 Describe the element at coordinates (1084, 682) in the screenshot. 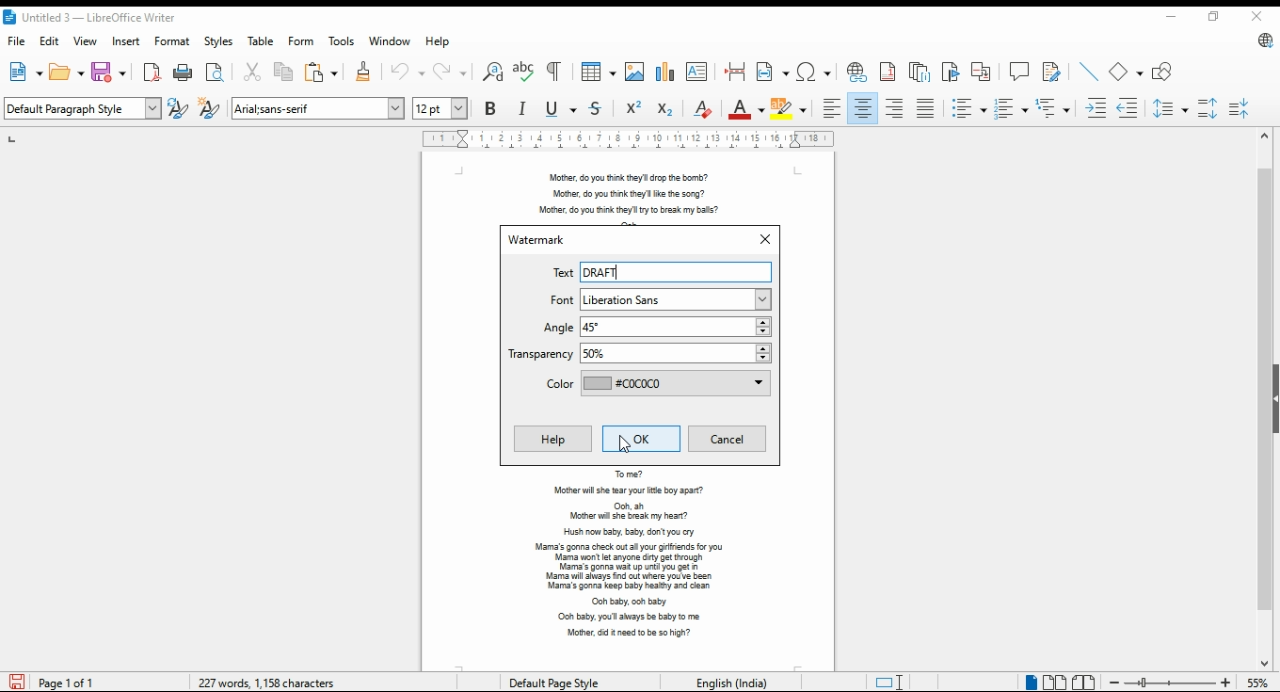

I see `book view` at that location.